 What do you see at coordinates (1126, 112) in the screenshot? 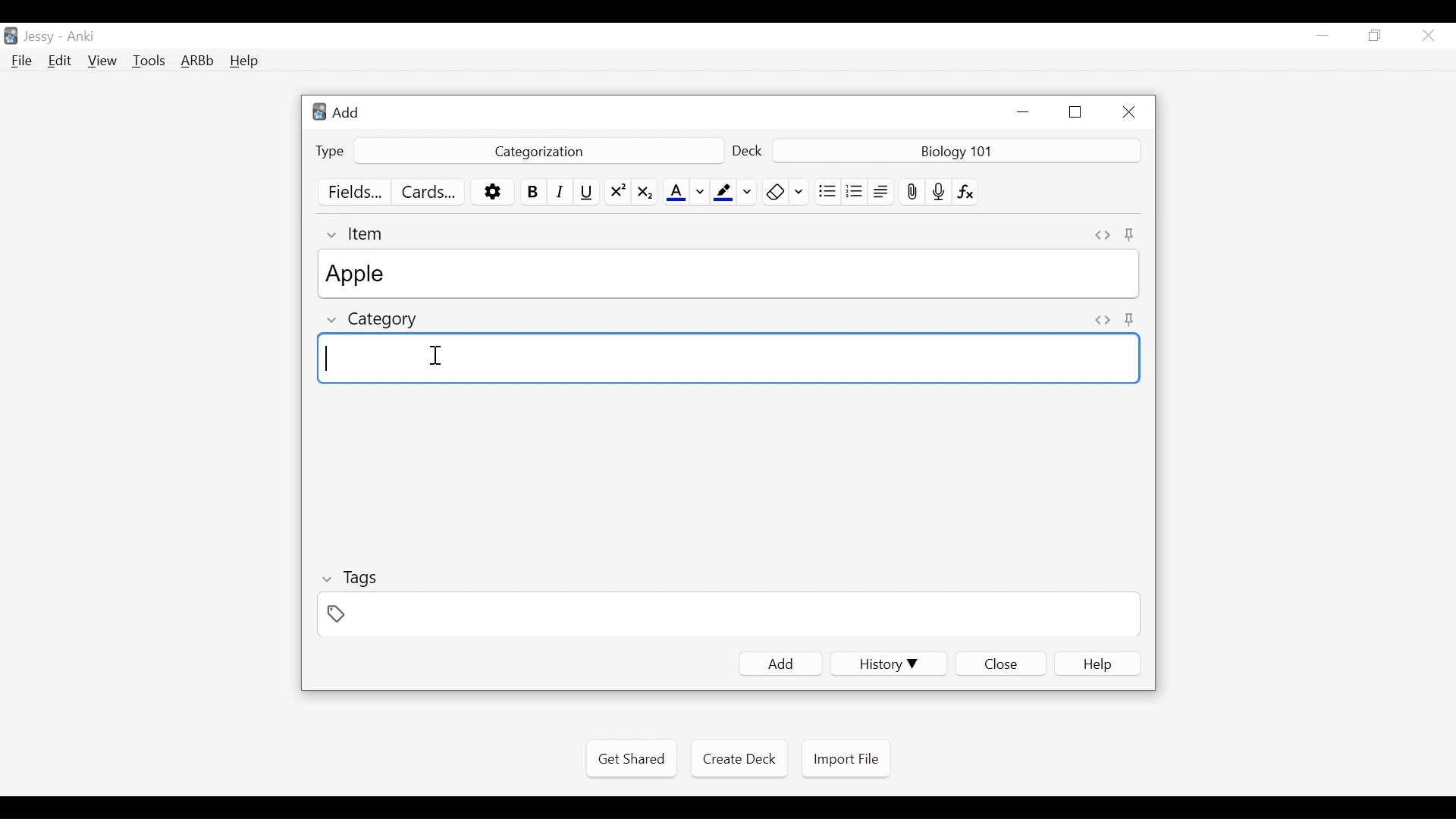
I see `Close` at bounding box center [1126, 112].